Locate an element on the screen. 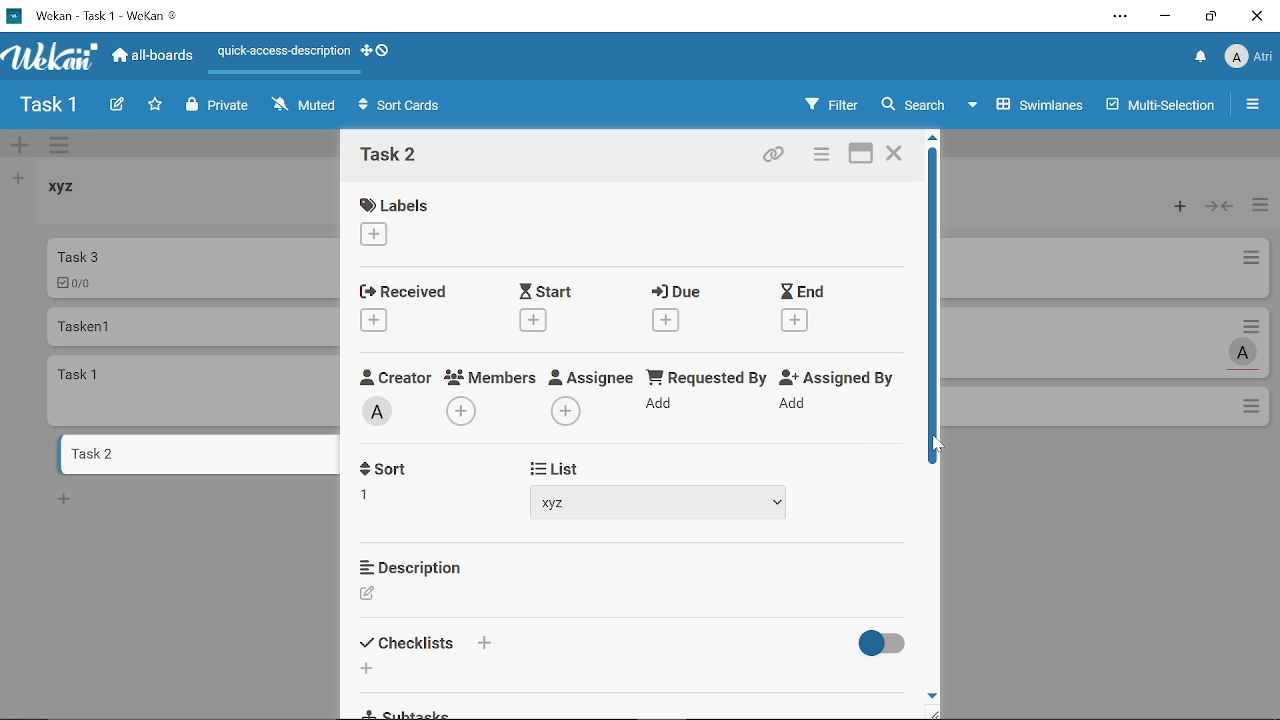 This screenshot has width=1280, height=720. Add description is located at coordinates (632, 599).